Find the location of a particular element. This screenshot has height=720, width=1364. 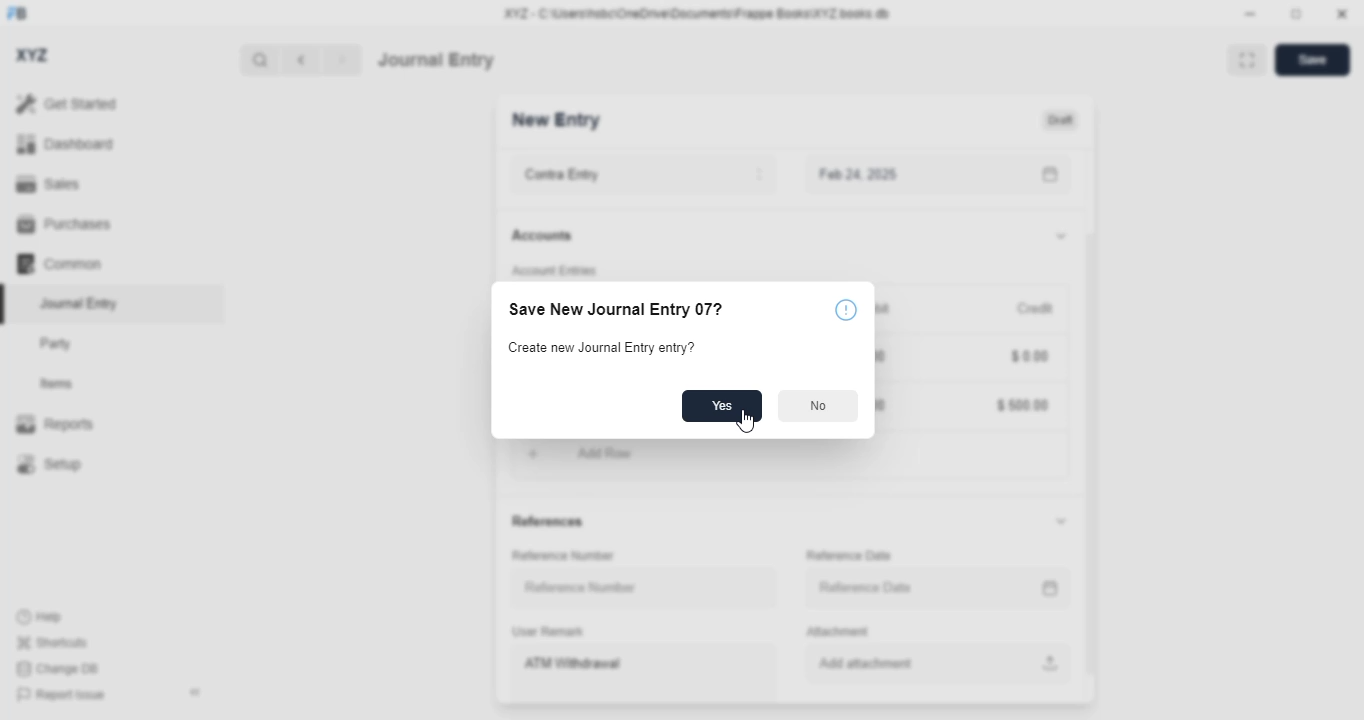

party is located at coordinates (58, 344).